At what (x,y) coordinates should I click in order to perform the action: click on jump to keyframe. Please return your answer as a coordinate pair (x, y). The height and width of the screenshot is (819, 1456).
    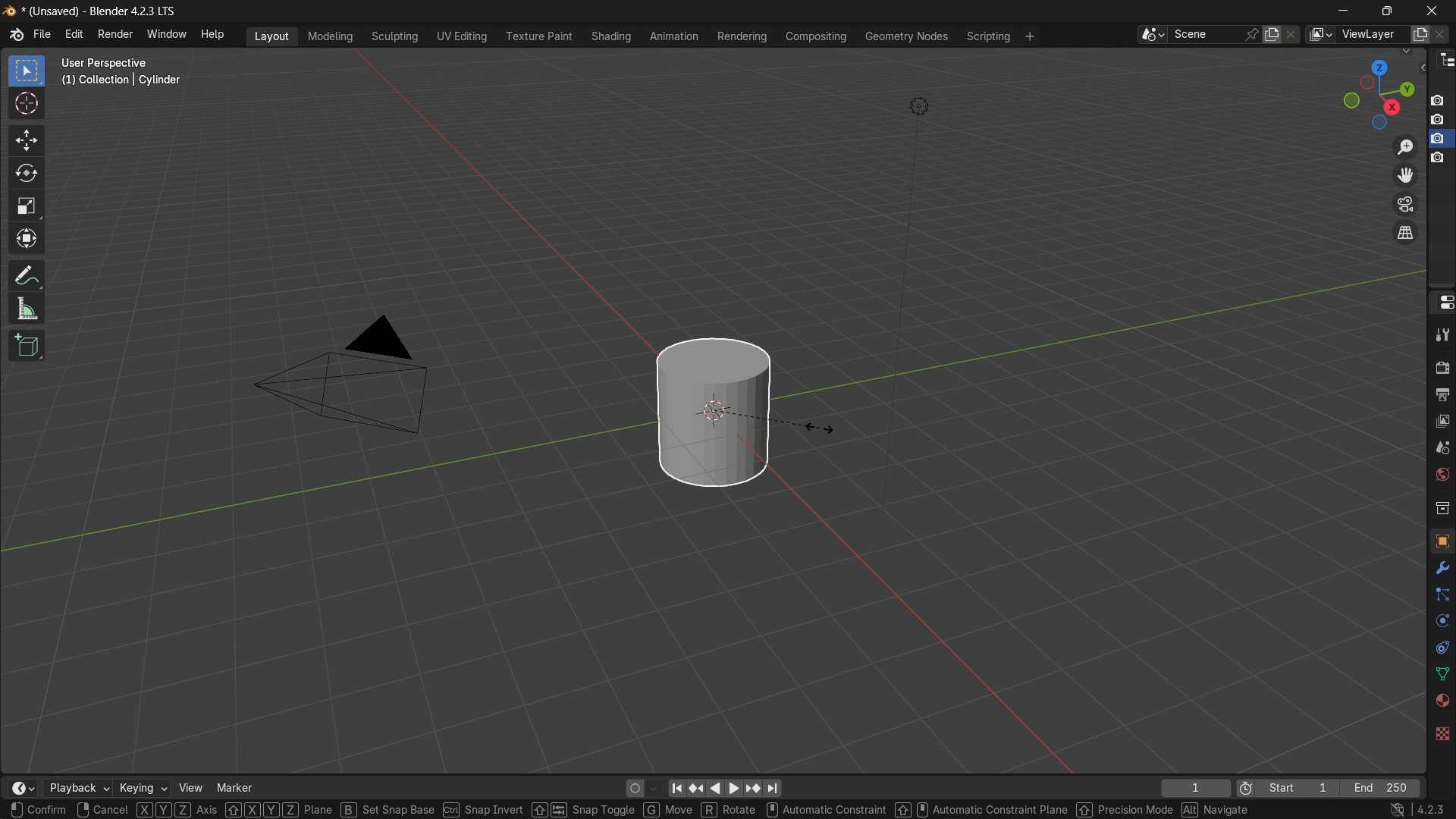
    Looking at the image, I should click on (695, 788).